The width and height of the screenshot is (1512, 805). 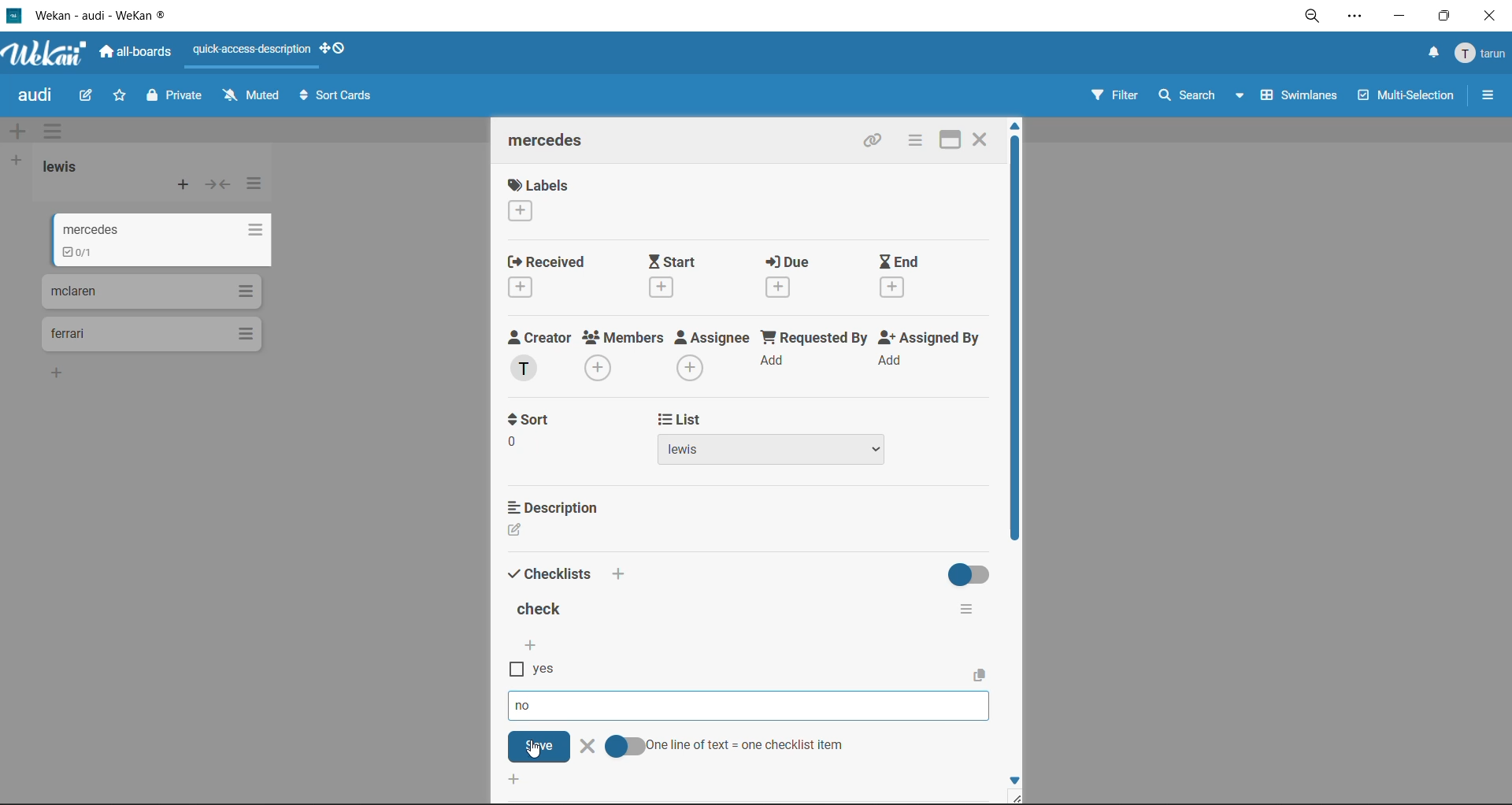 I want to click on close, so click(x=1488, y=17).